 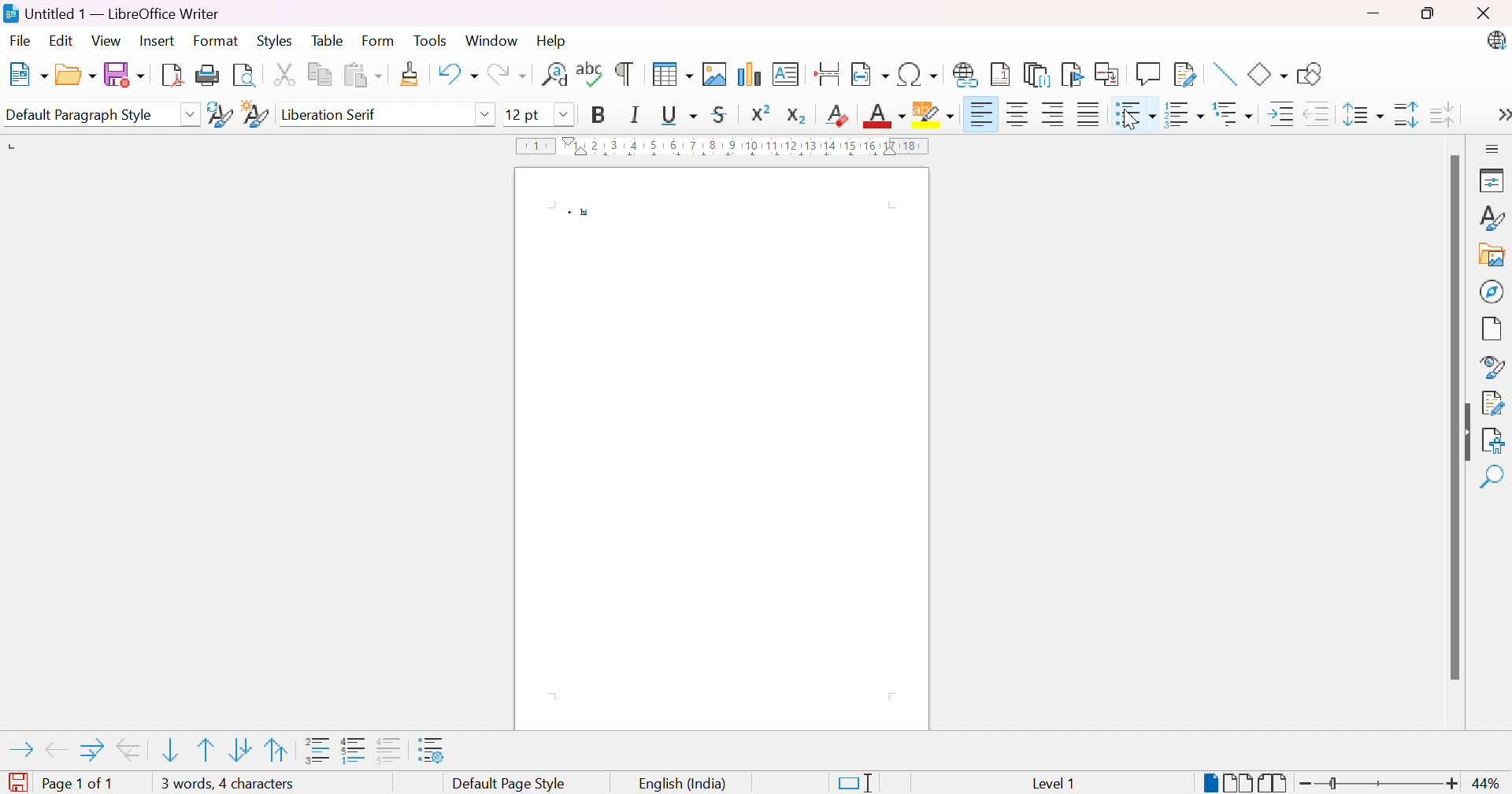 I want to click on Insert text box, so click(x=788, y=74).